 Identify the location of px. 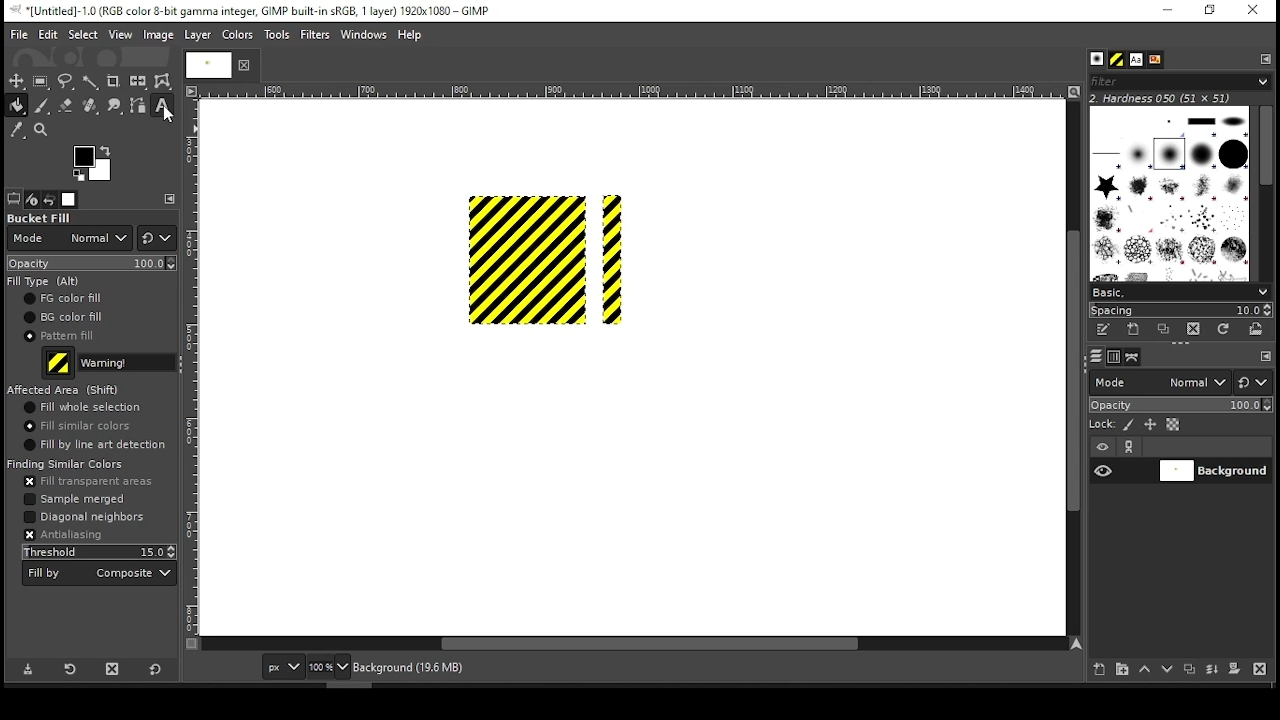
(282, 669).